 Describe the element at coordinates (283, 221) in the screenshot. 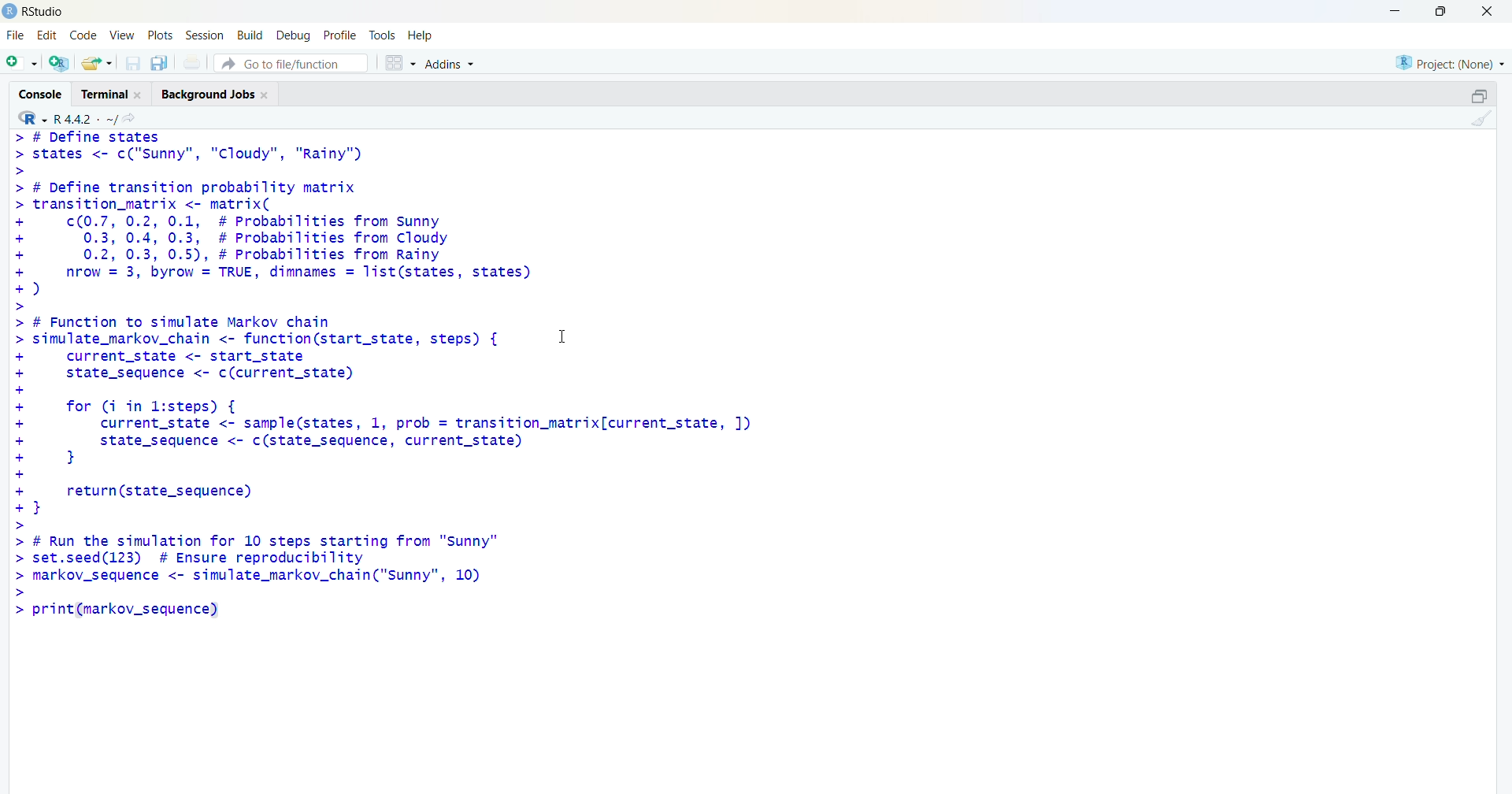

I see `> # Define states> states <- c("sunny", "Cloudy", "Rainy")>> # Define transition probability matrix> transition_matrix <- matrix(- c(0.7, 0.2, 0.1, # Probabilities from Sunny+ 0.3, 0.4, 0.3, # Probabilities from Cloudy+ 0.2, 0.3, 0.5), # Probabilities from Rainy- nrow = 3, byrow = TRUE, dimnames = list(states, states)+)>-` at that location.